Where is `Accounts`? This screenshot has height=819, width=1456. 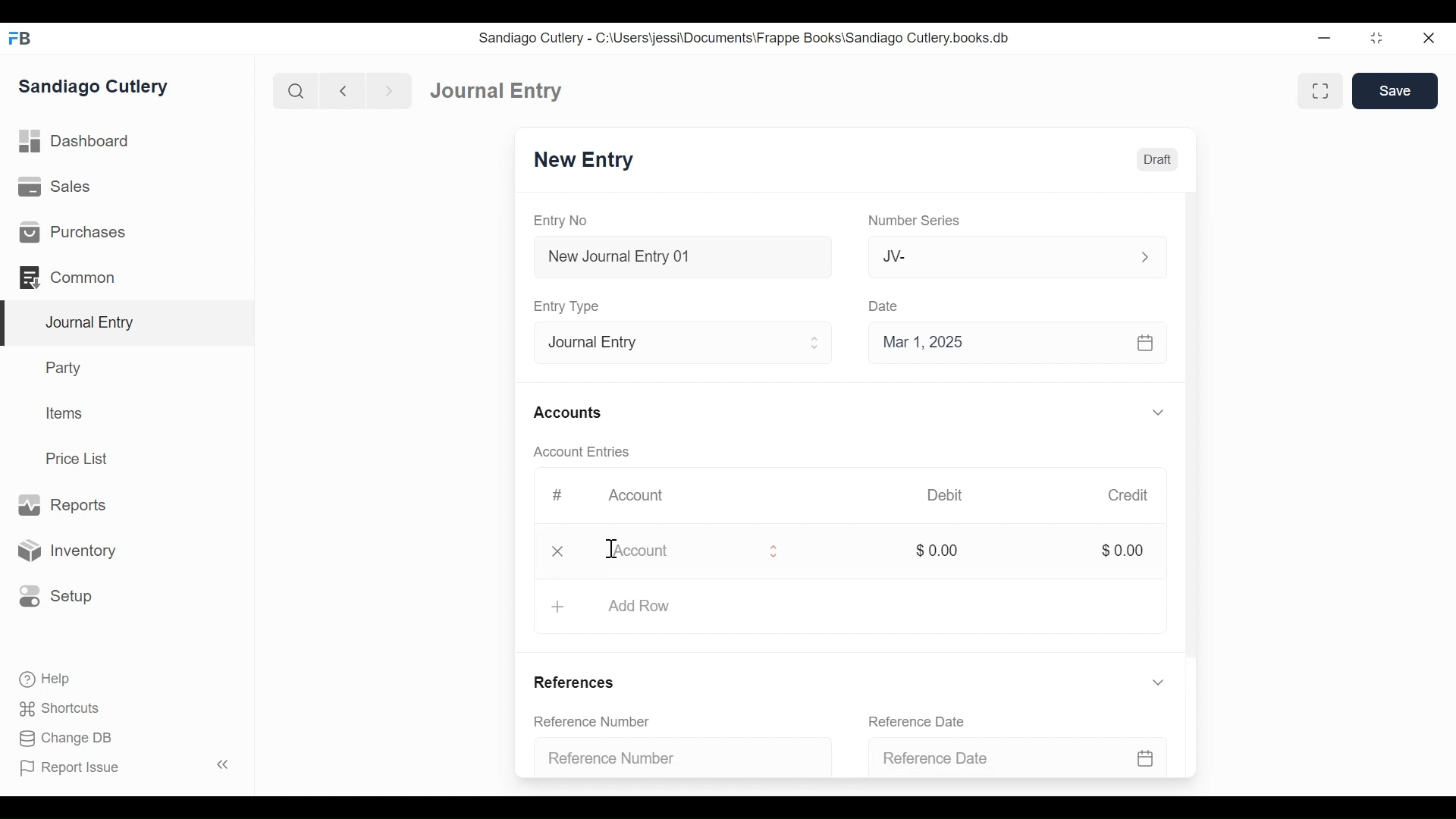 Accounts is located at coordinates (566, 413).